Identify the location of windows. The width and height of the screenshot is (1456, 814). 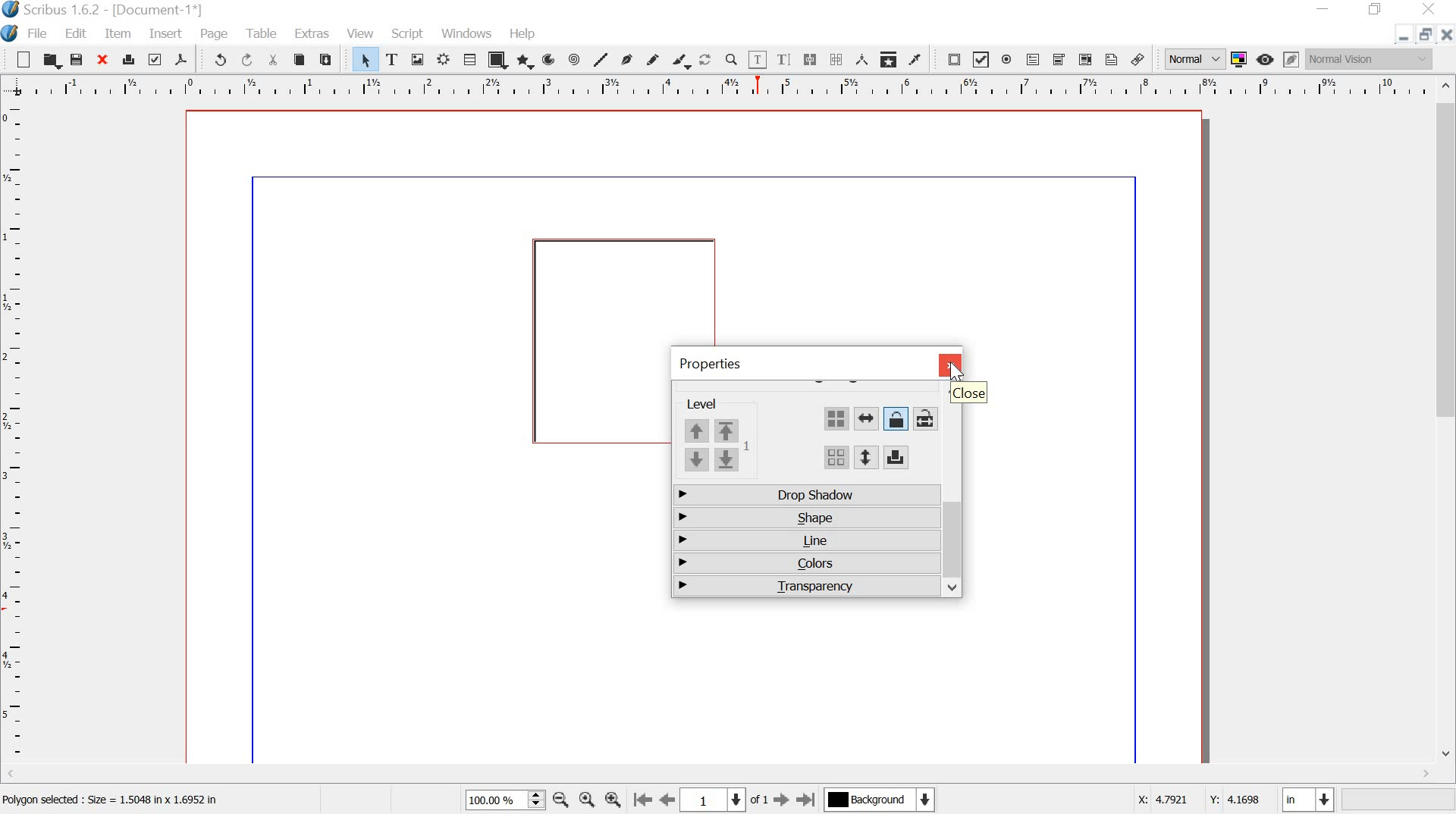
(467, 33).